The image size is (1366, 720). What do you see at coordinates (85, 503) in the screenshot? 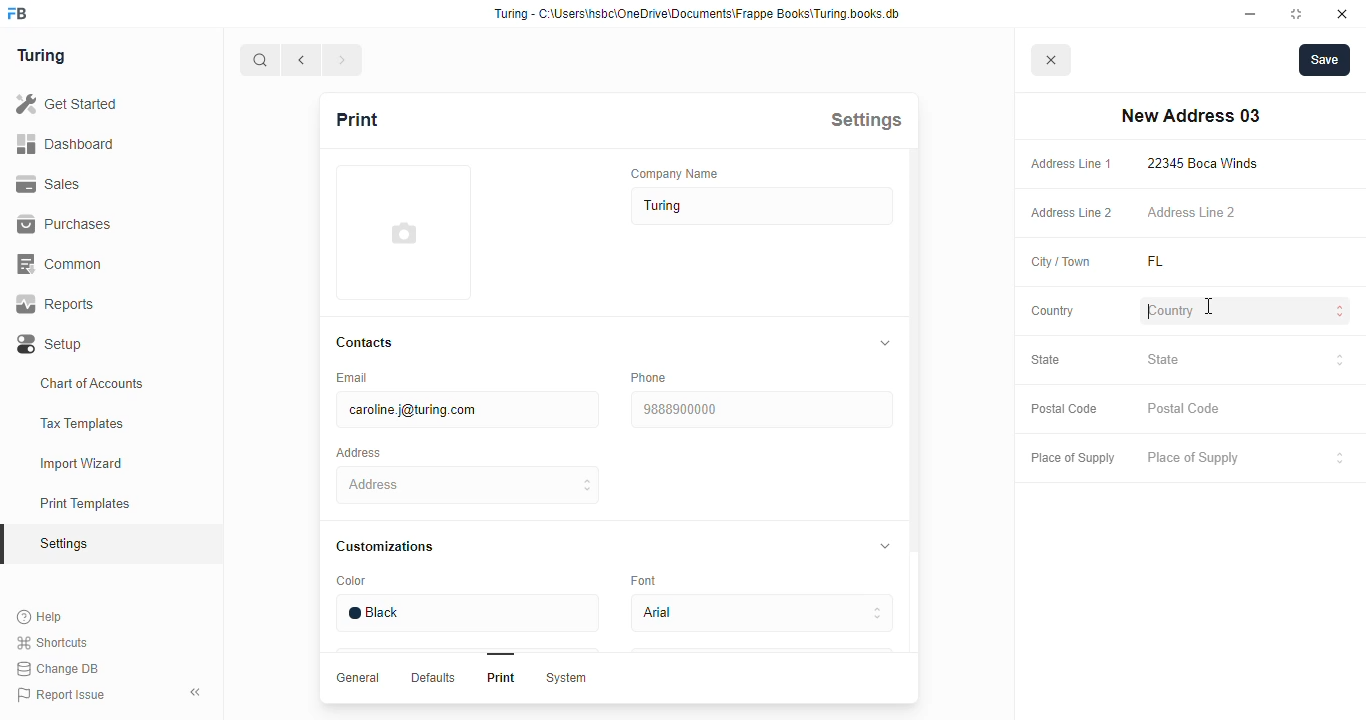
I see `print templates` at bounding box center [85, 503].